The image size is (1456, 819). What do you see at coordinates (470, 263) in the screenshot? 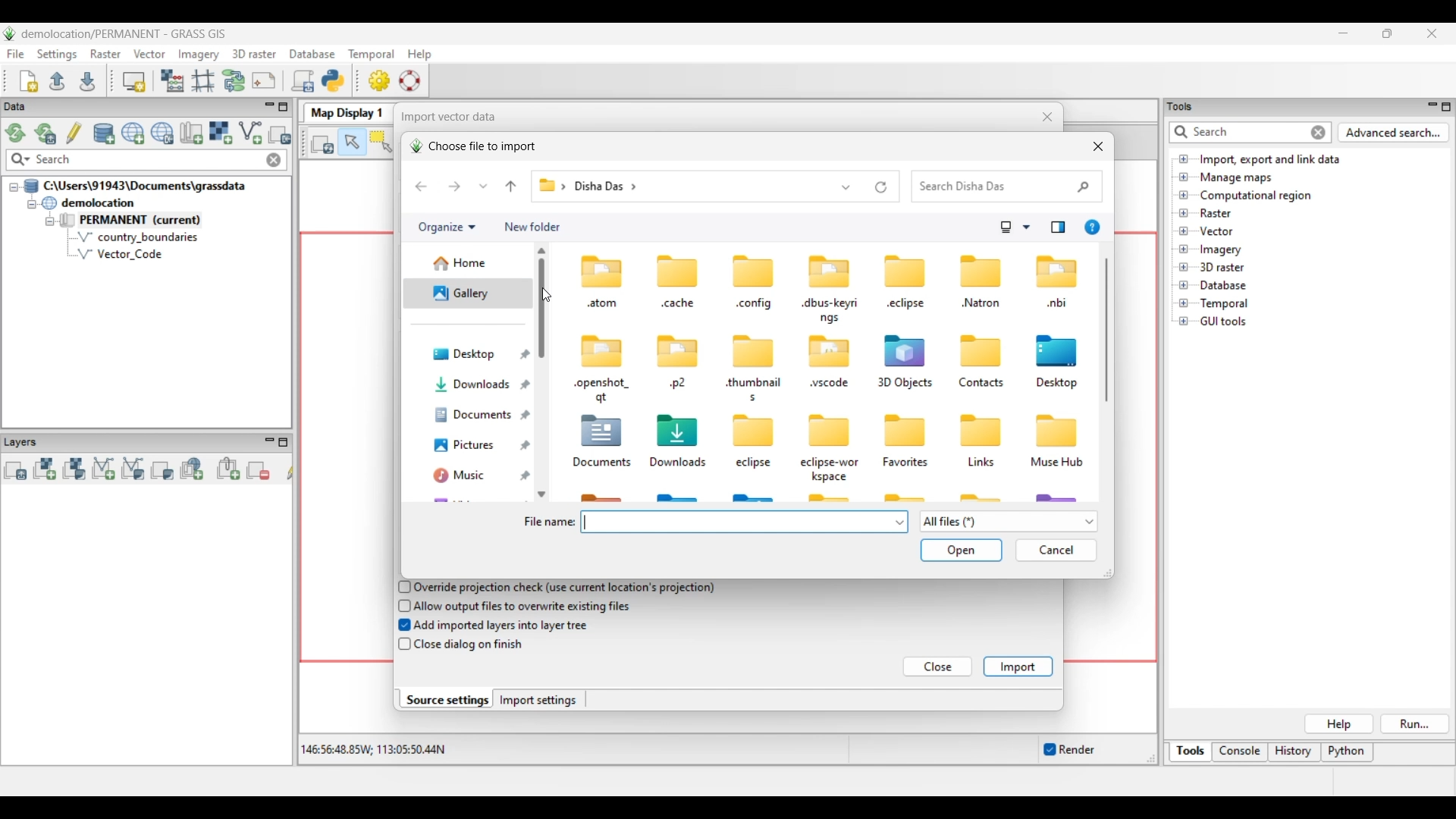
I see `Home folder` at bounding box center [470, 263].